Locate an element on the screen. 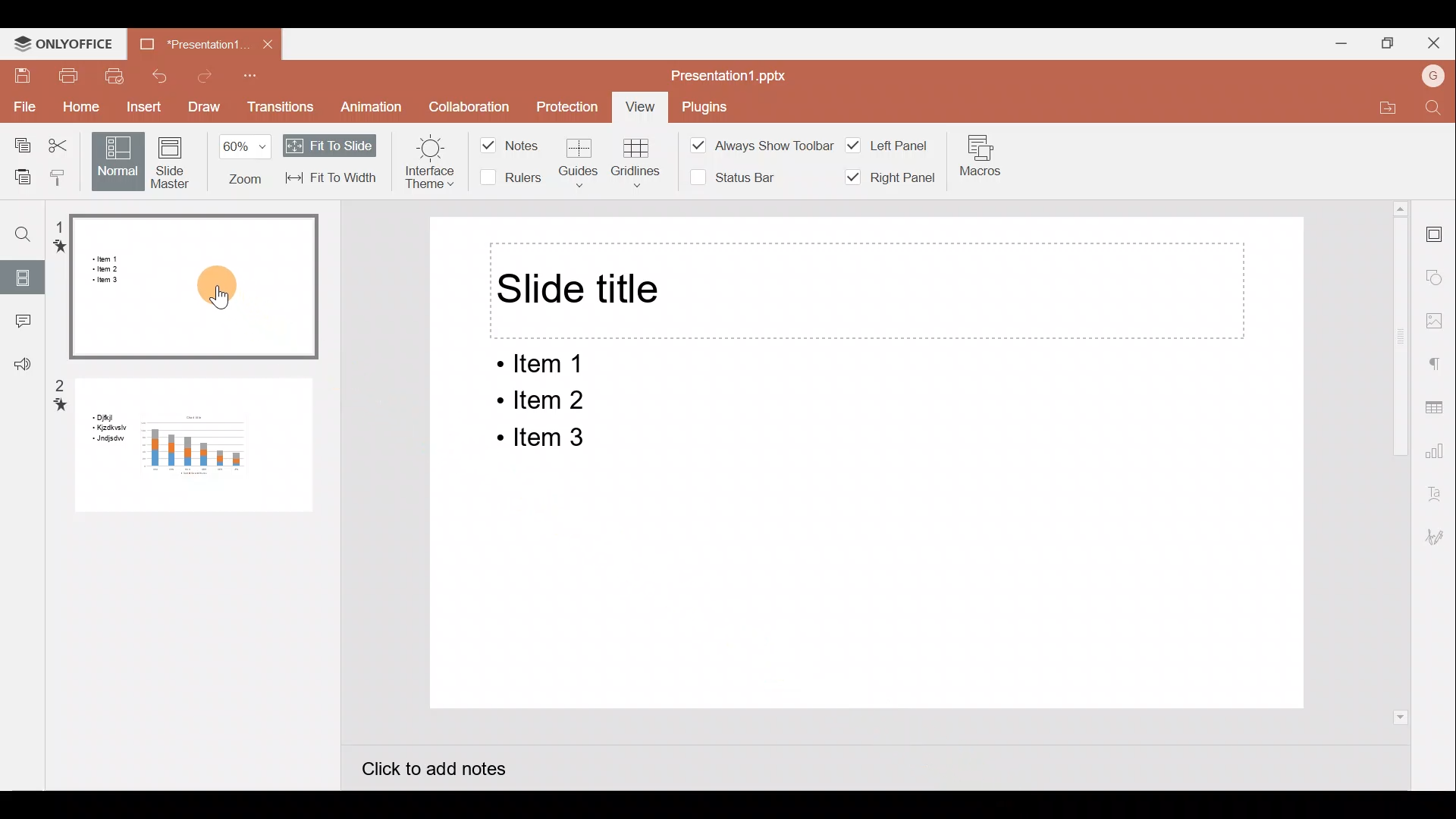 The width and height of the screenshot is (1456, 819). Image settings is located at coordinates (1438, 318).